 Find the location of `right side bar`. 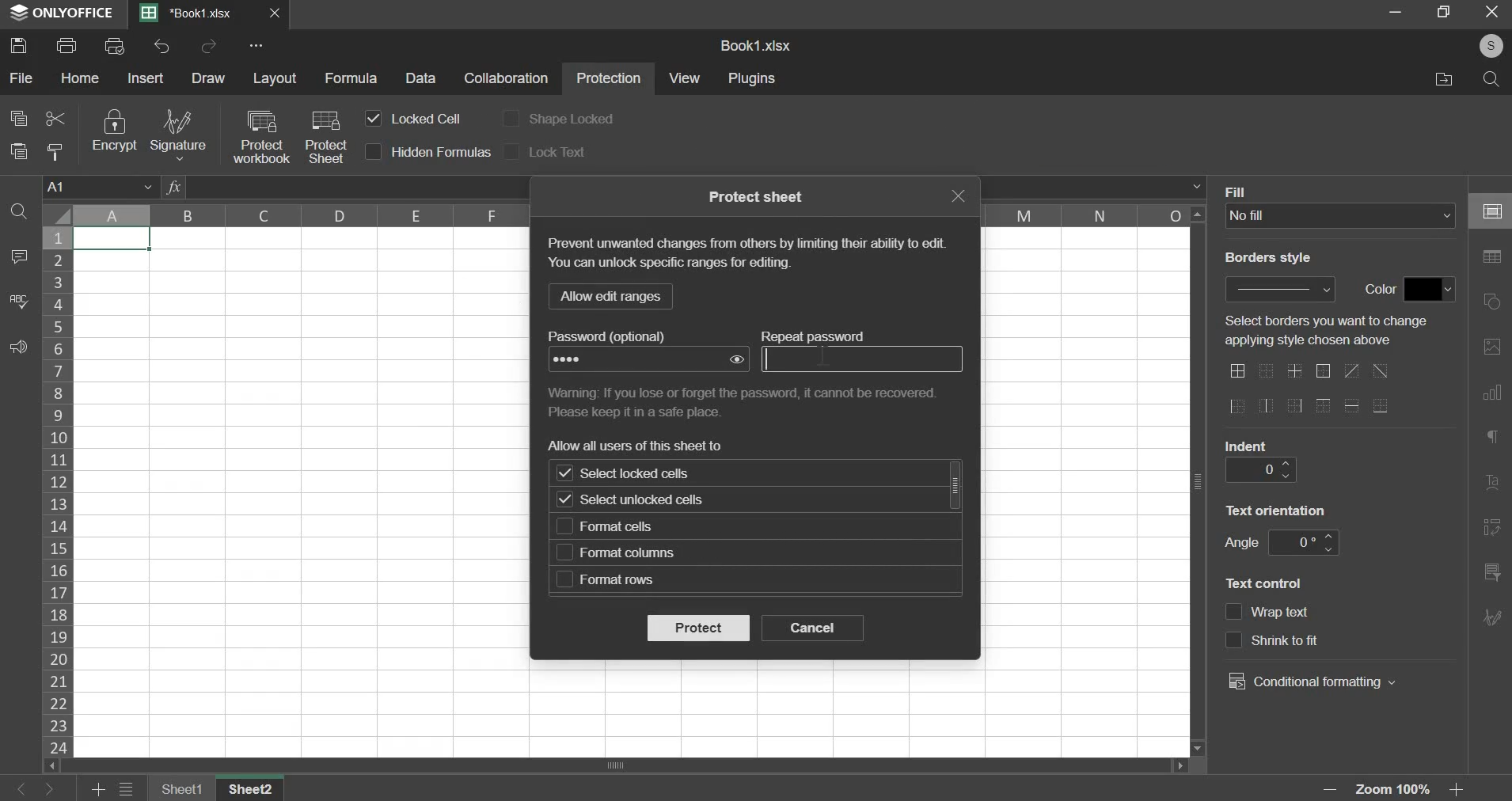

right side bar is located at coordinates (1496, 211).